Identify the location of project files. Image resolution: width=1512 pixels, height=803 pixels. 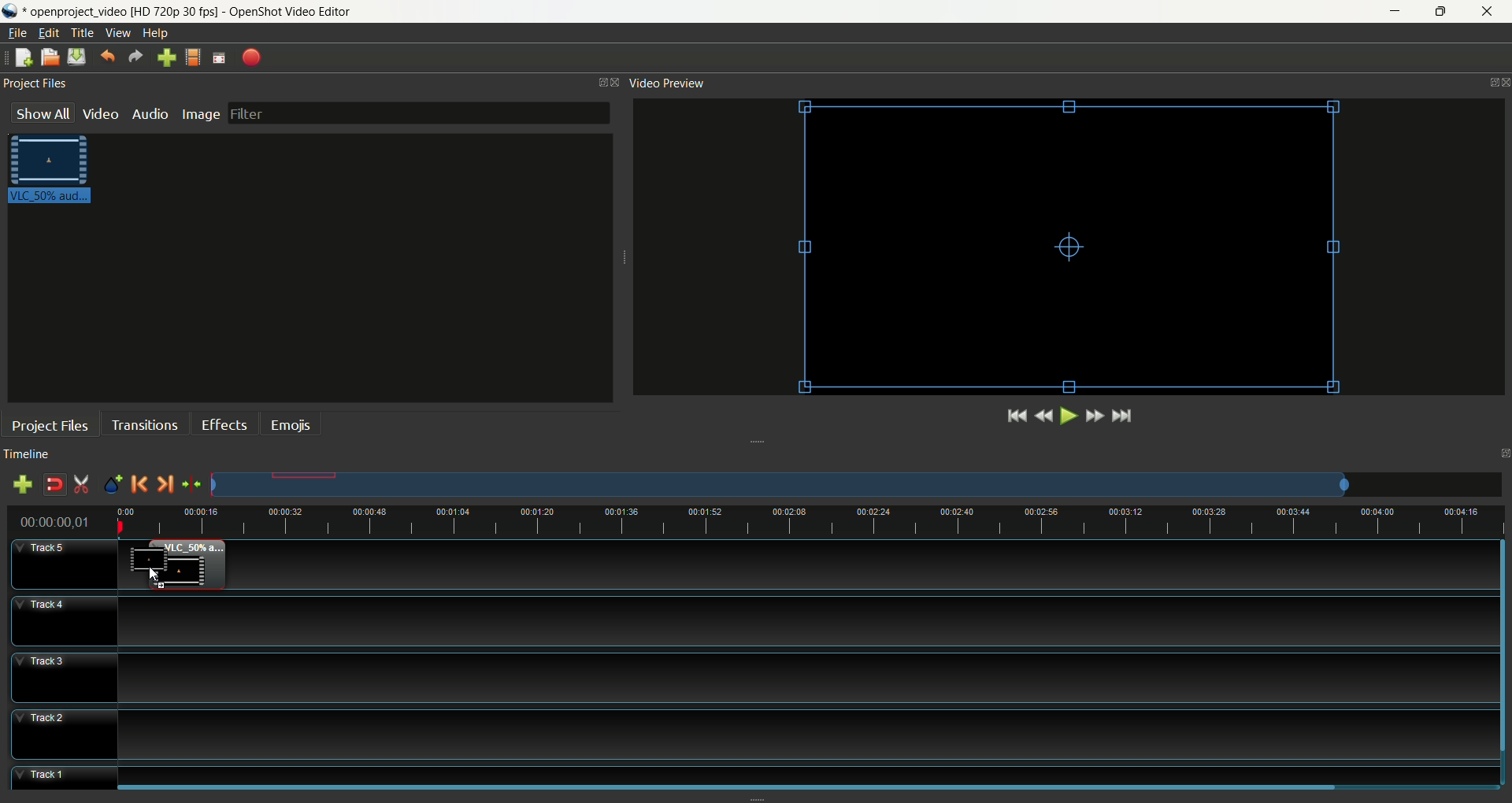
(36, 83).